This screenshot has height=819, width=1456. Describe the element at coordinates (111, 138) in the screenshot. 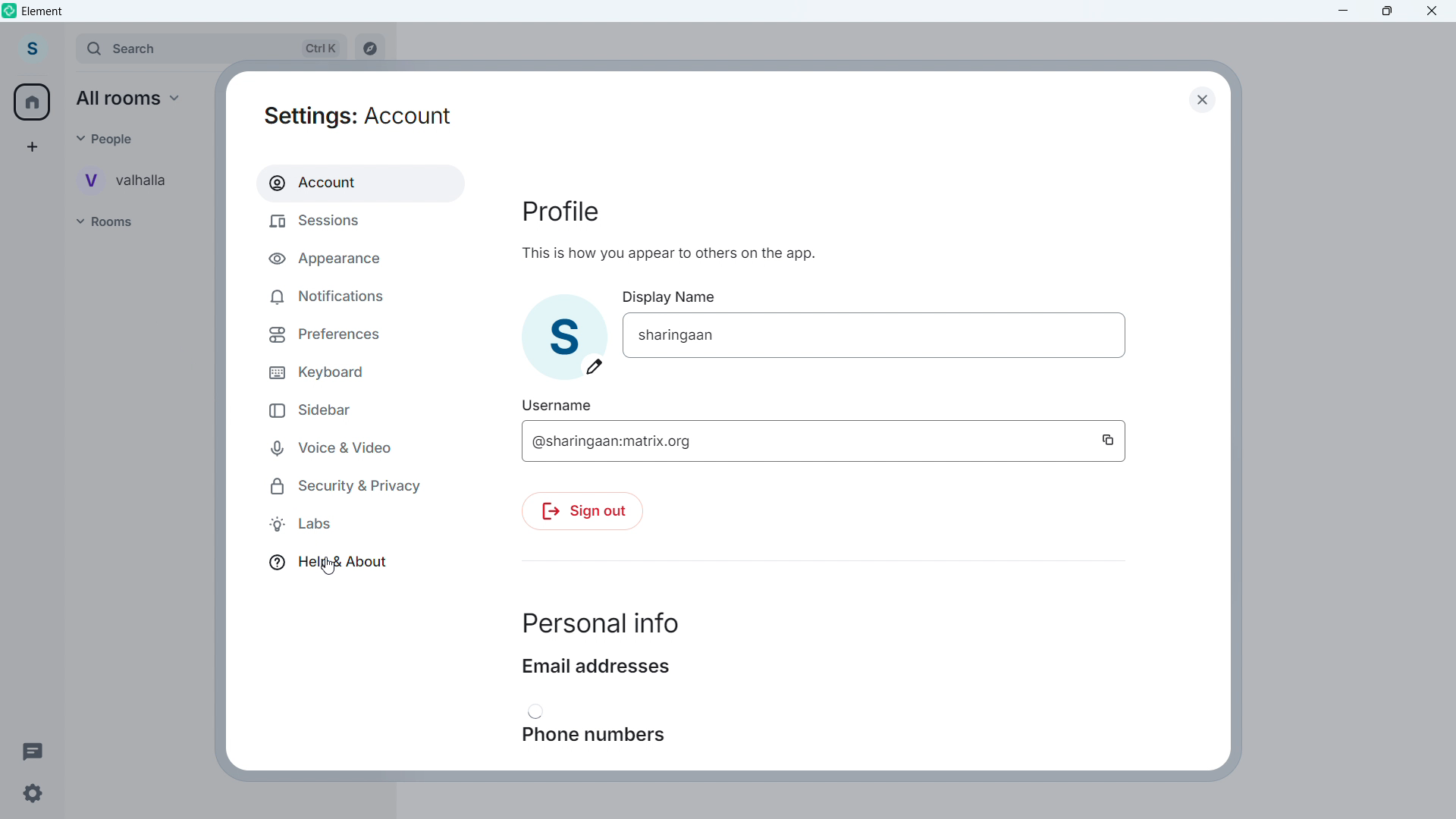

I see `` at that location.